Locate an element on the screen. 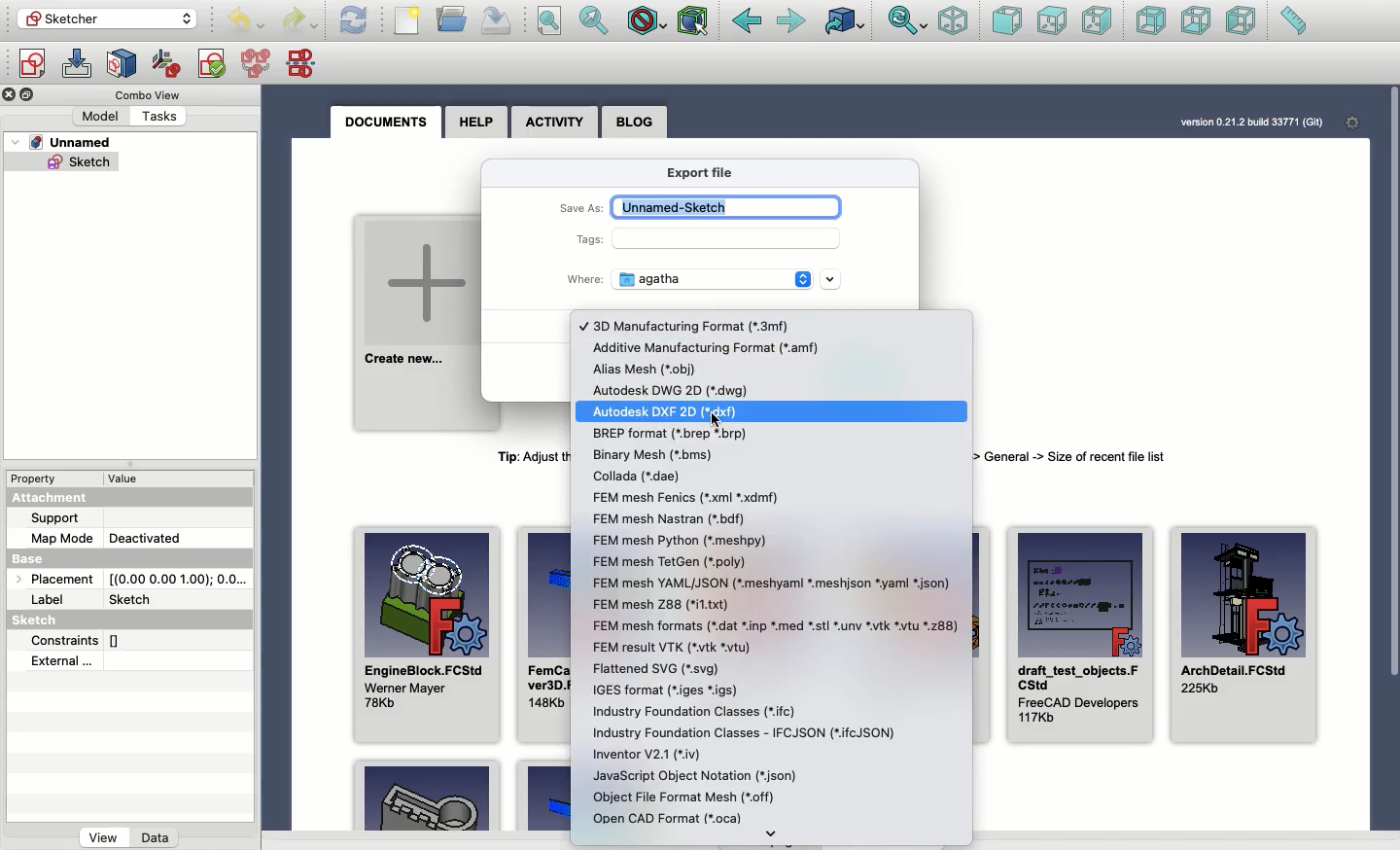 This screenshot has width=1400, height=850. Left is located at coordinates (1242, 23).